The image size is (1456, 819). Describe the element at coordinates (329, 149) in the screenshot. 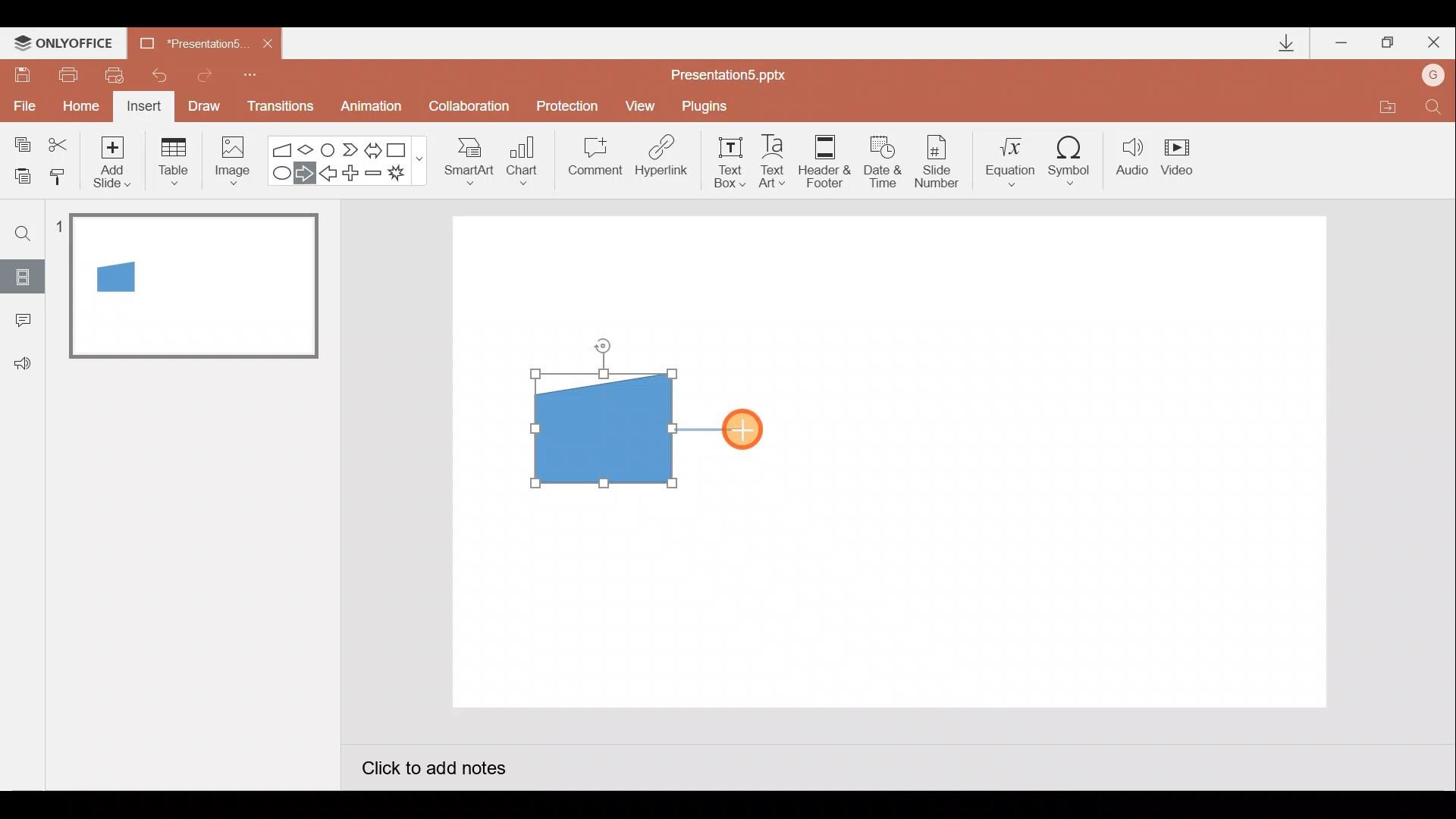

I see `Flowchart-connector` at that location.